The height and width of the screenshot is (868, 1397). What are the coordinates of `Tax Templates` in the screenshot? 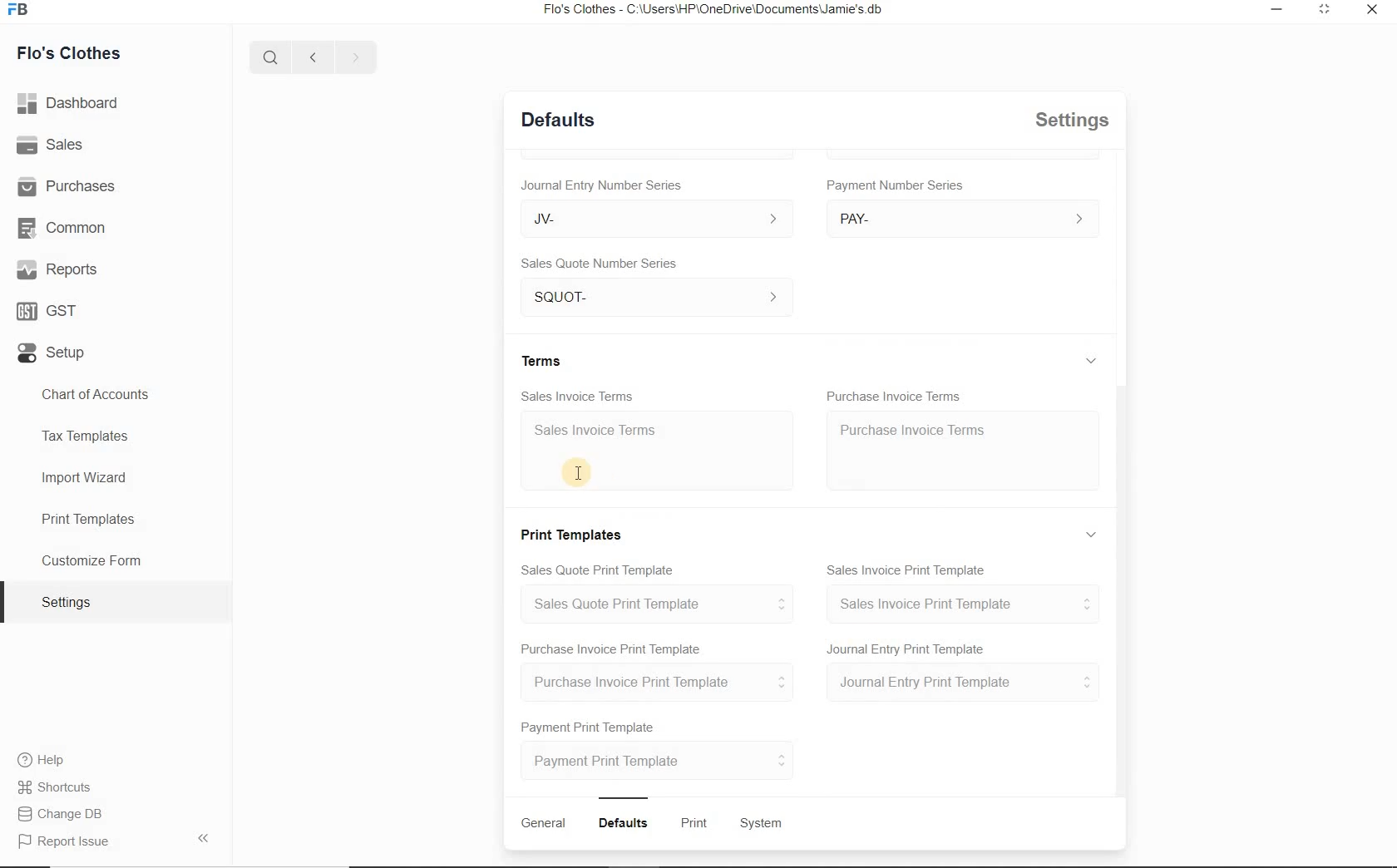 It's located at (115, 439).